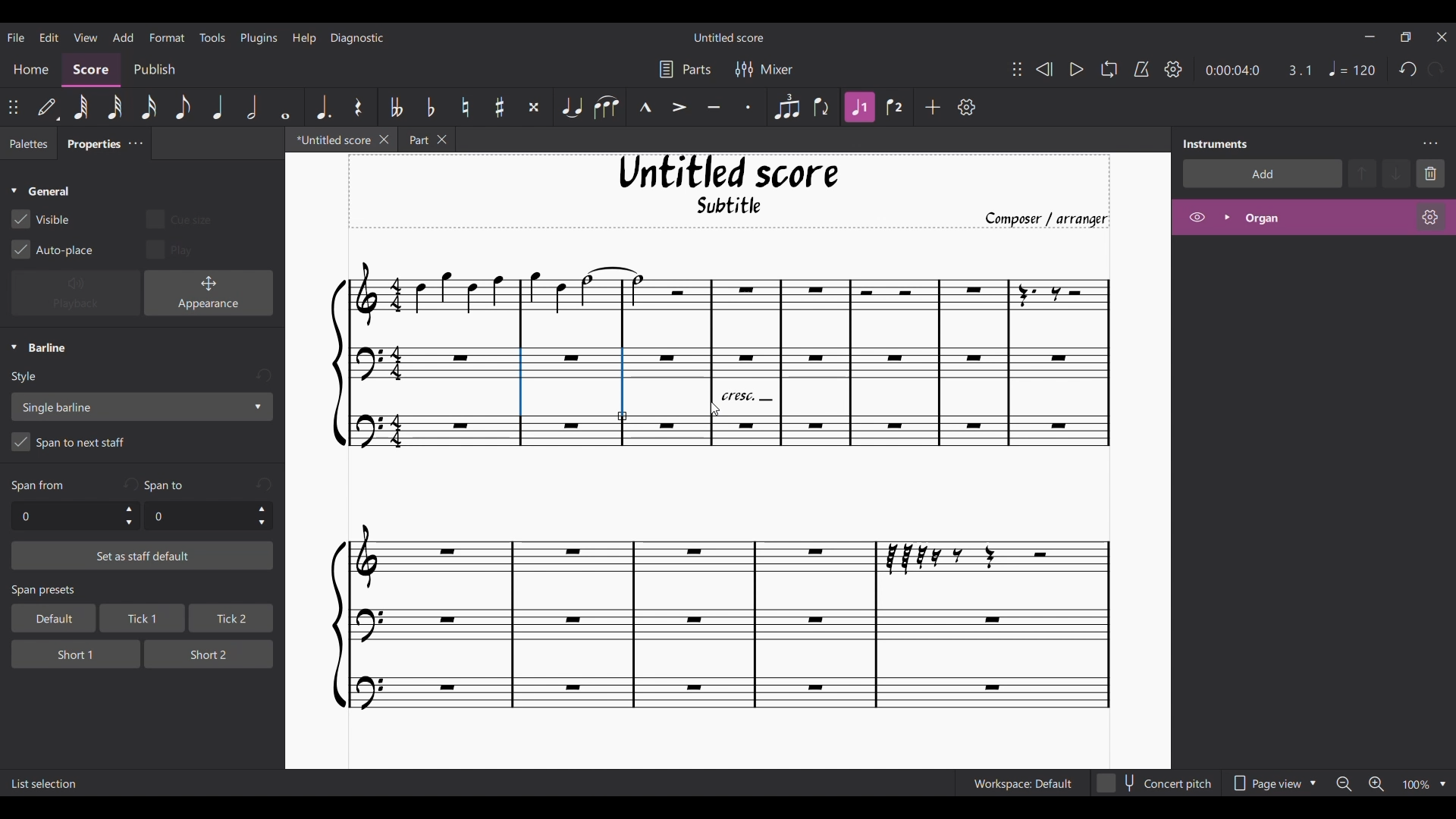 The image size is (1456, 819). What do you see at coordinates (89, 146) in the screenshot?
I see `Properties tab, current selection` at bounding box center [89, 146].